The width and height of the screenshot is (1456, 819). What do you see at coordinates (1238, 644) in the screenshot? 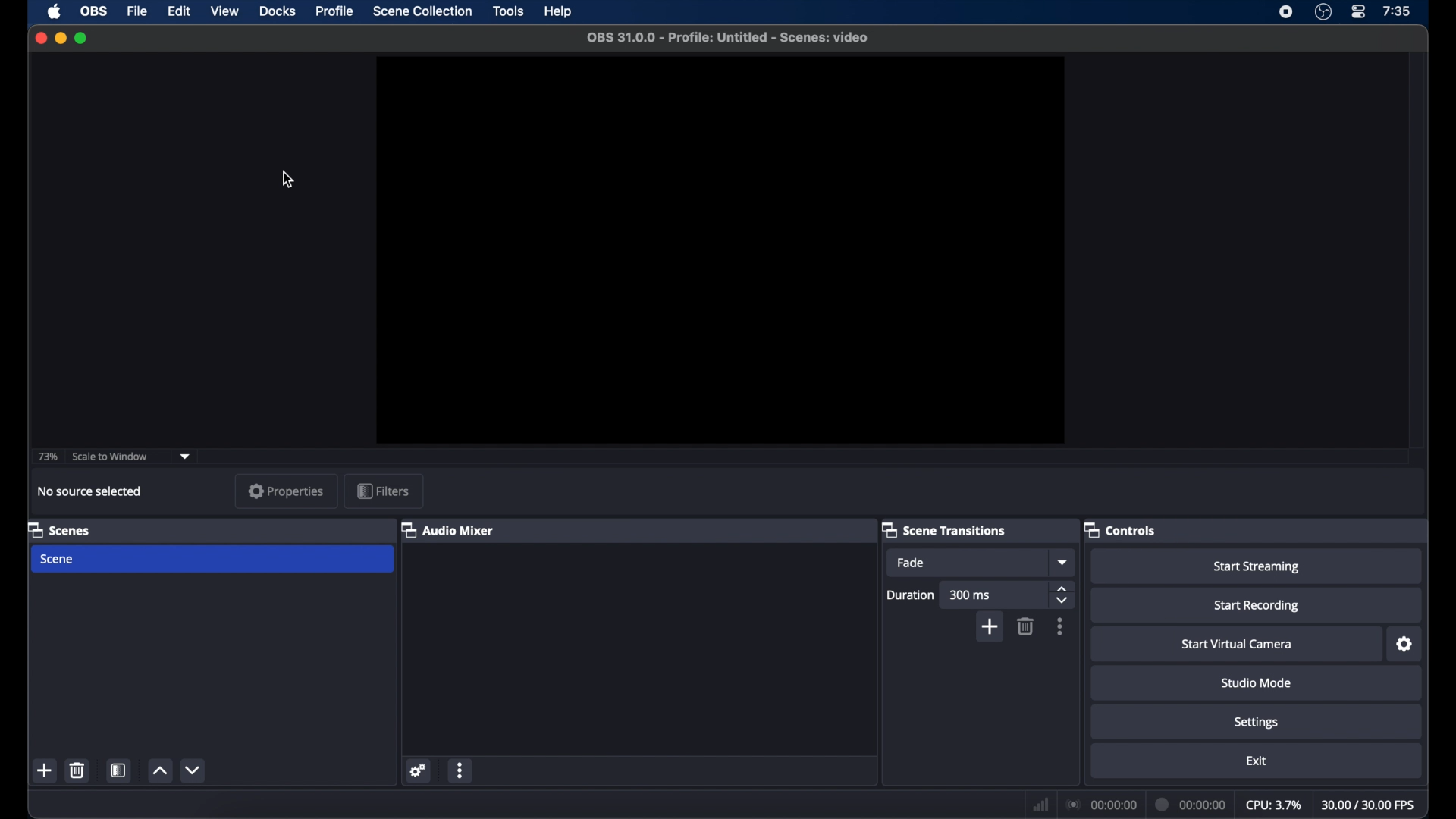
I see `start virtual camera` at bounding box center [1238, 644].